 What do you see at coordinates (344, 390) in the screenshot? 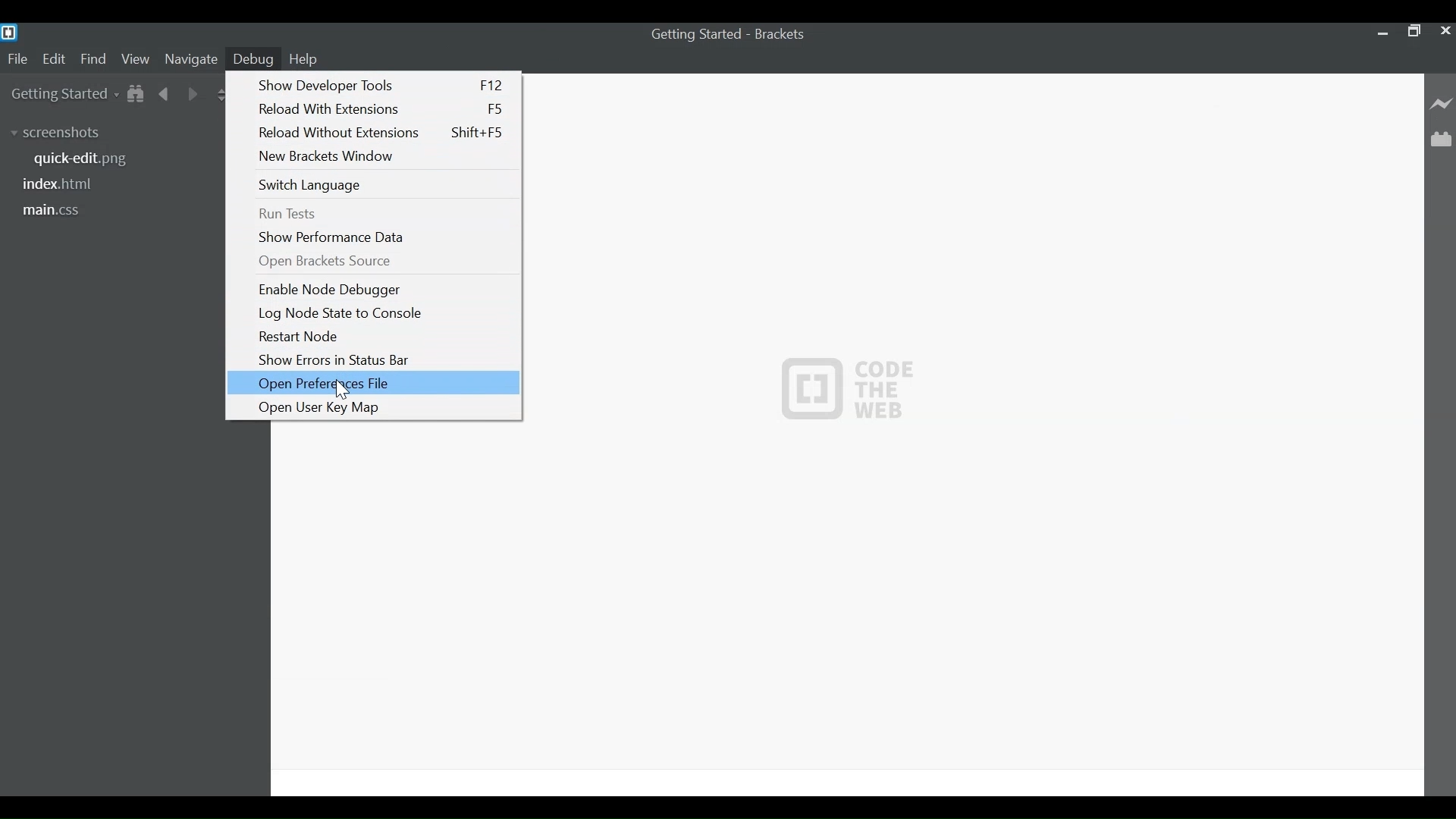
I see `Cursor` at bounding box center [344, 390].